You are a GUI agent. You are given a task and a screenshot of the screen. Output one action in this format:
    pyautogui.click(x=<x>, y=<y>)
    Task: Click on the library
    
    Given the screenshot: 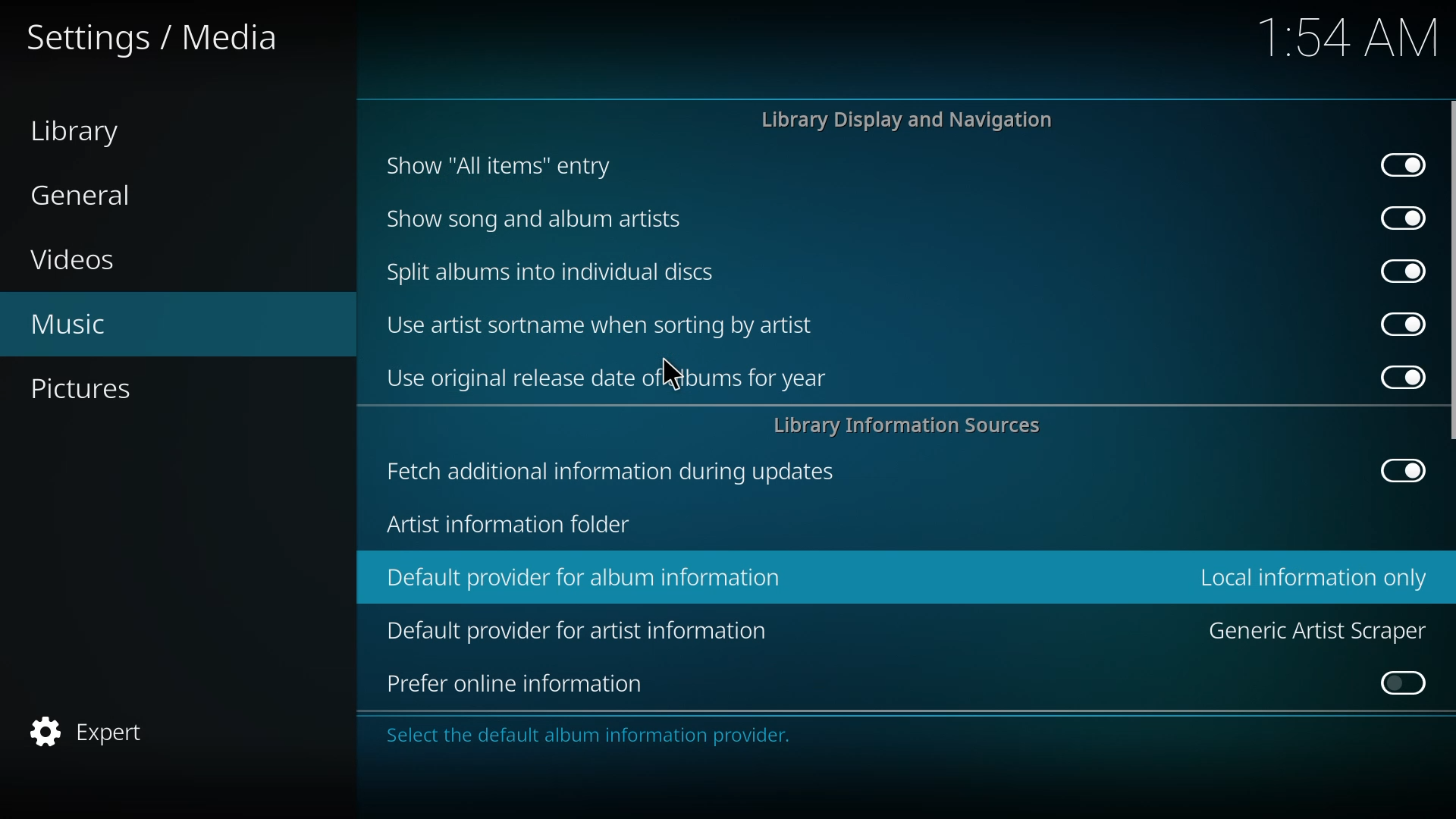 What is the action you would take?
    pyautogui.click(x=82, y=132)
    